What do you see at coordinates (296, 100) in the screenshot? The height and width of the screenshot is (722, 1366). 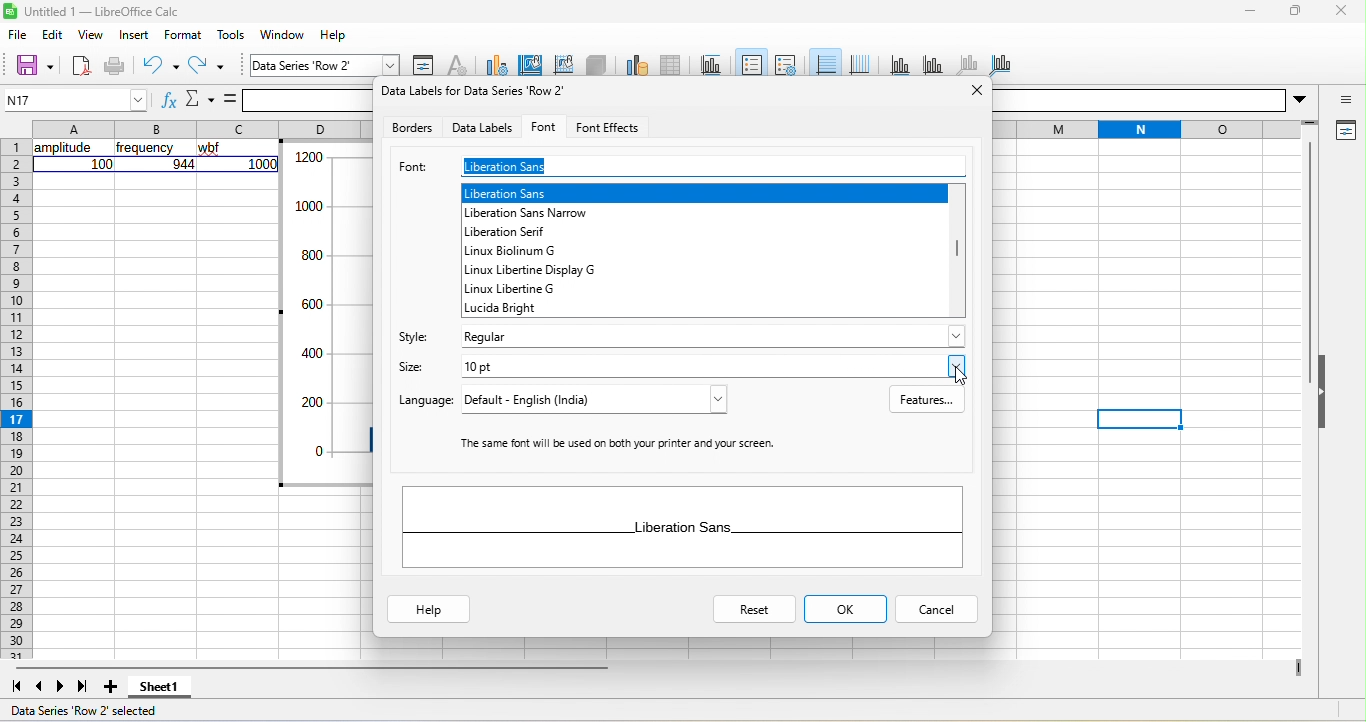 I see `formula bar` at bounding box center [296, 100].